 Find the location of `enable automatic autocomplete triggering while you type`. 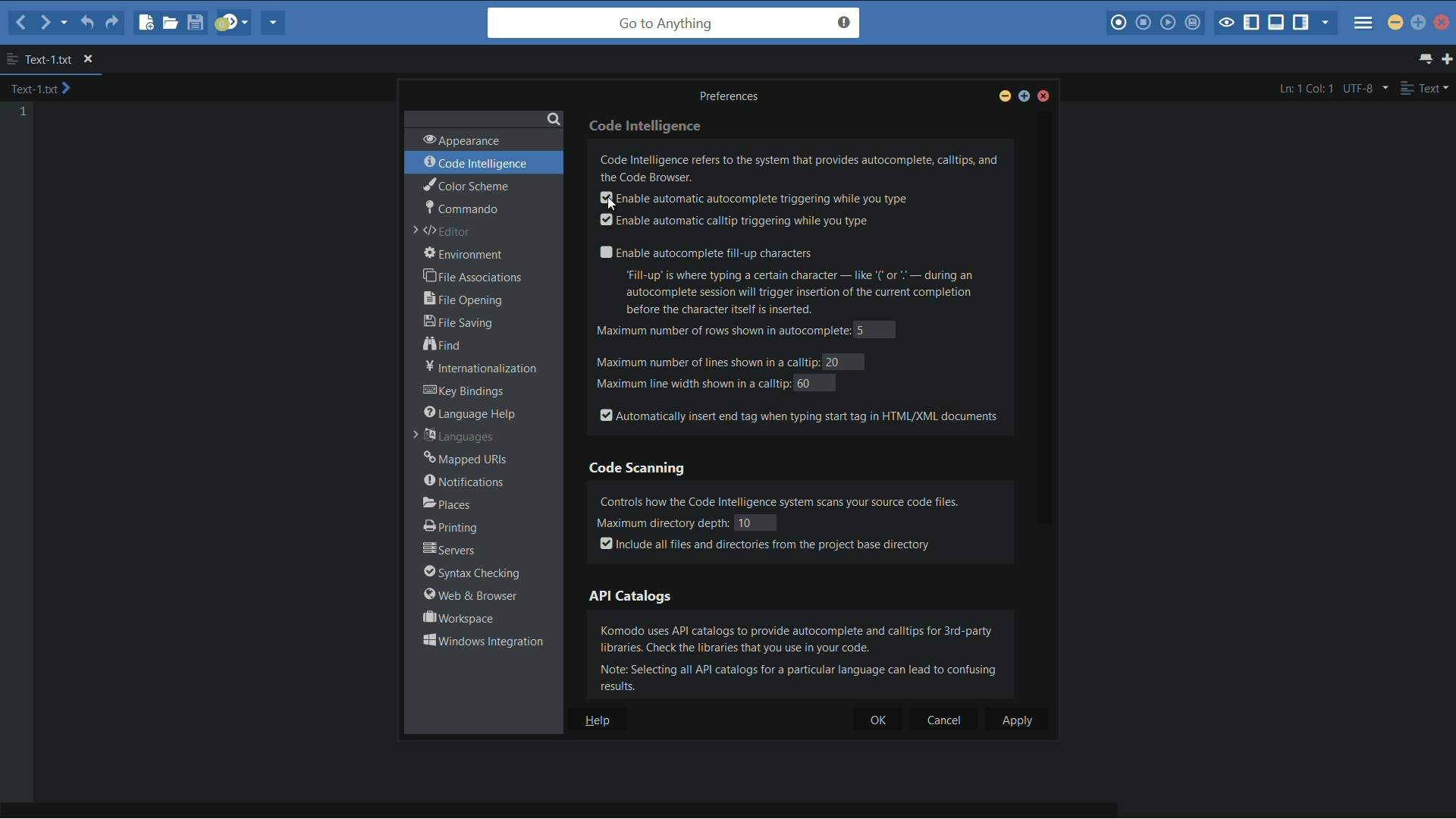

enable automatic autocomplete triggering while you type is located at coordinates (752, 199).